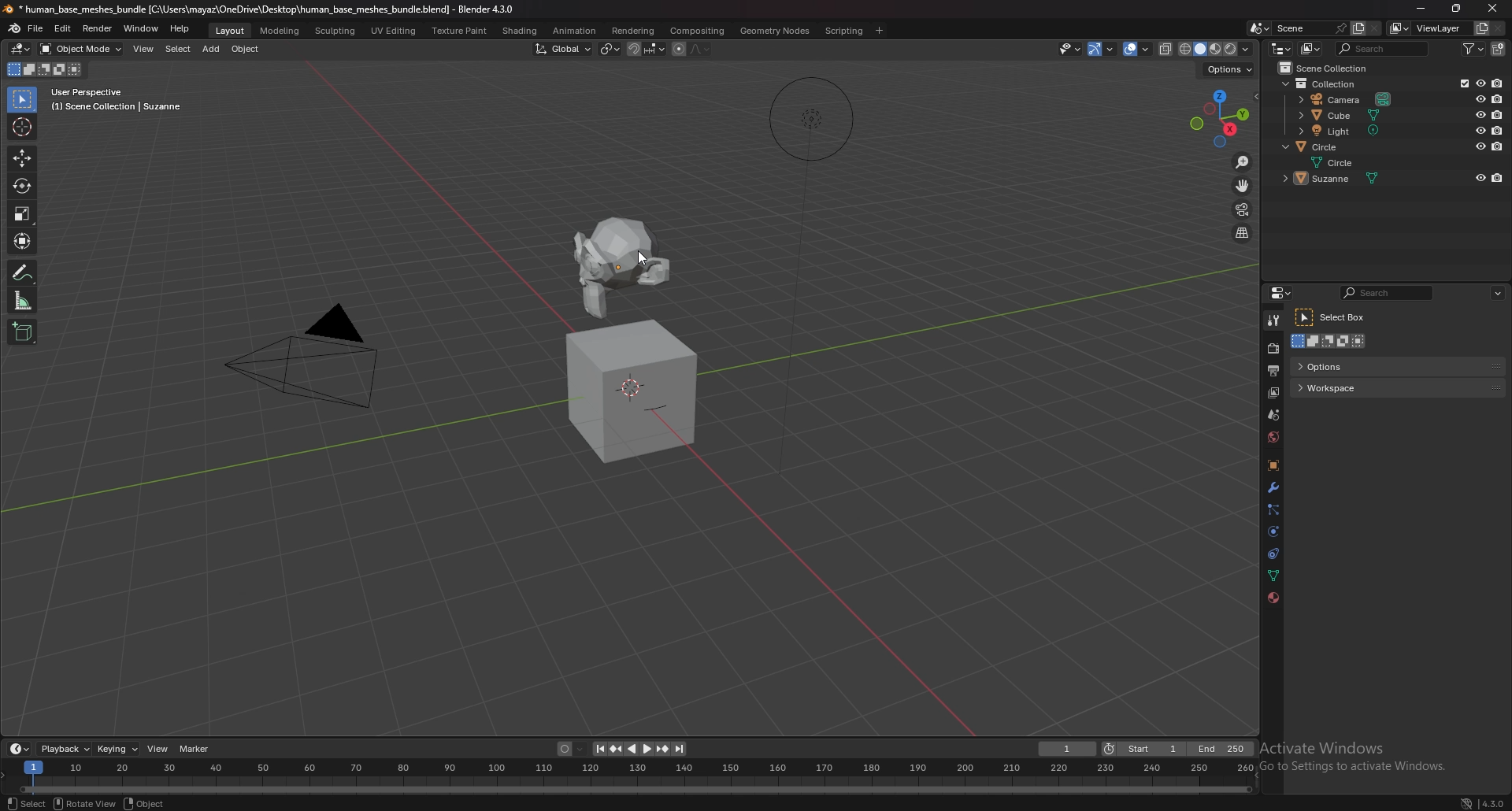 This screenshot has height=811, width=1512. What do you see at coordinates (1466, 802) in the screenshot?
I see `network` at bounding box center [1466, 802].